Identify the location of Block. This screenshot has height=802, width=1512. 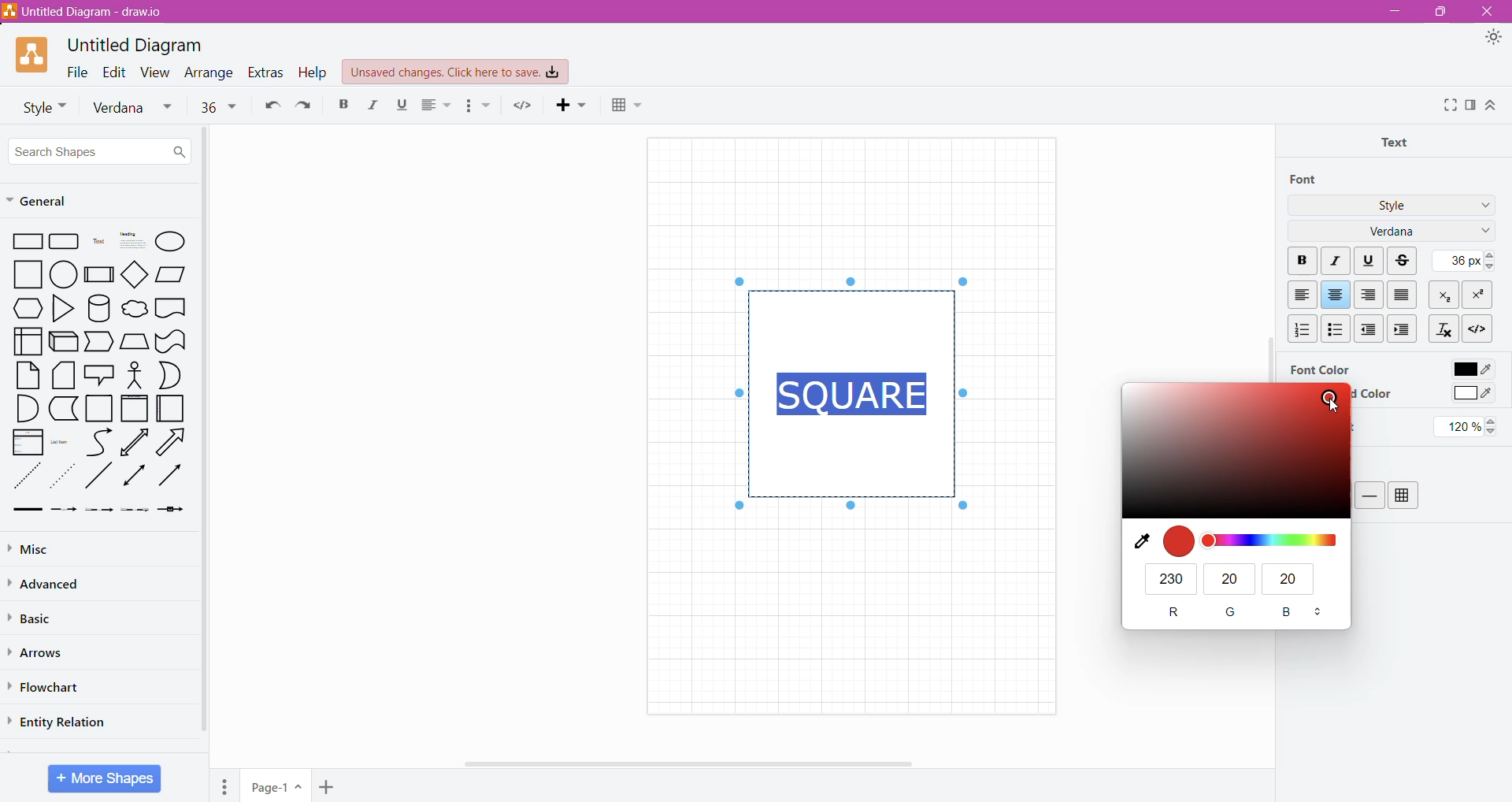
(1403, 294).